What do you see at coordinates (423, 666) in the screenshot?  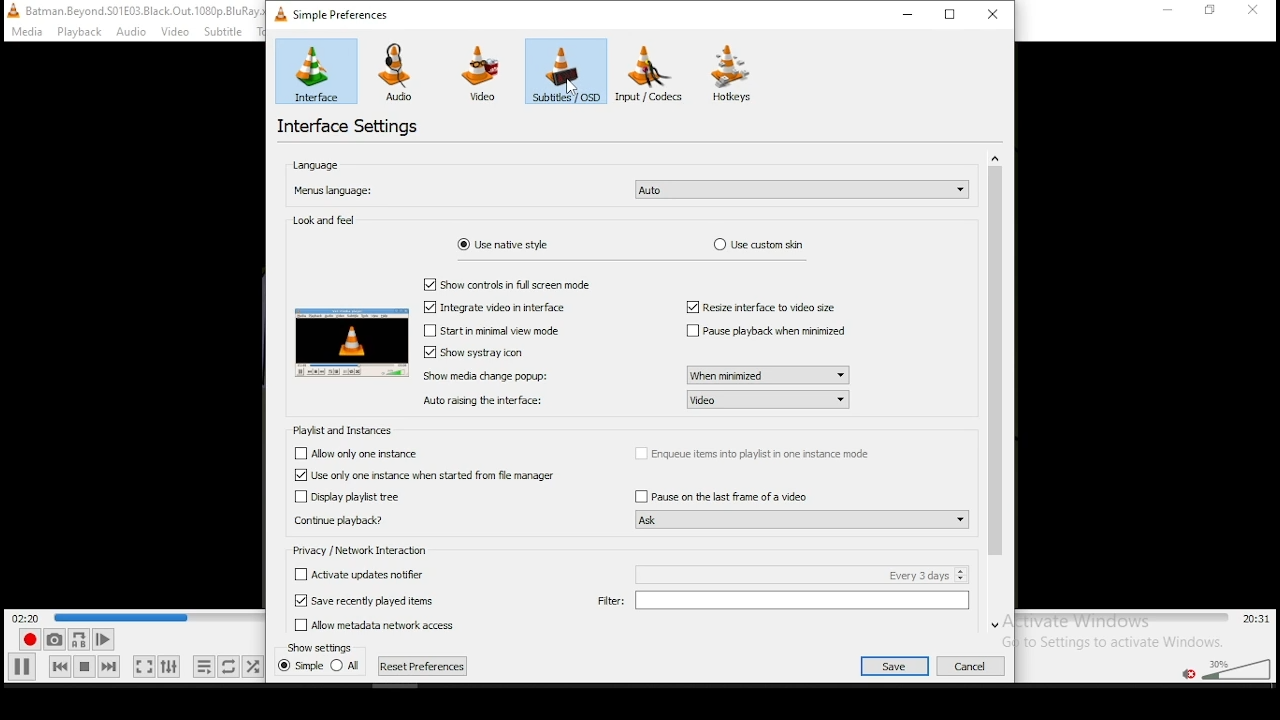 I see `reset preferences` at bounding box center [423, 666].